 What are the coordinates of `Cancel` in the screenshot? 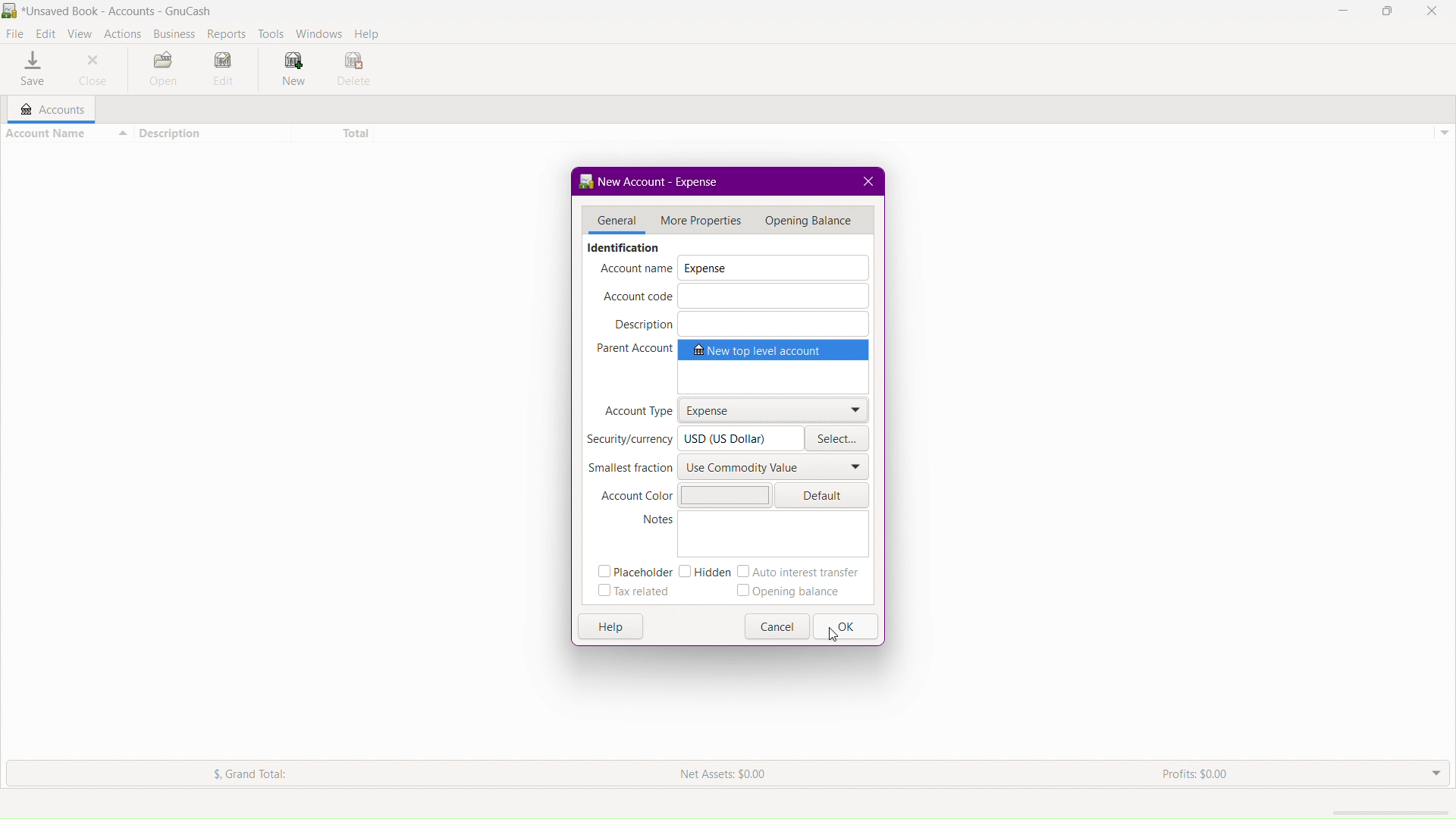 It's located at (780, 627).